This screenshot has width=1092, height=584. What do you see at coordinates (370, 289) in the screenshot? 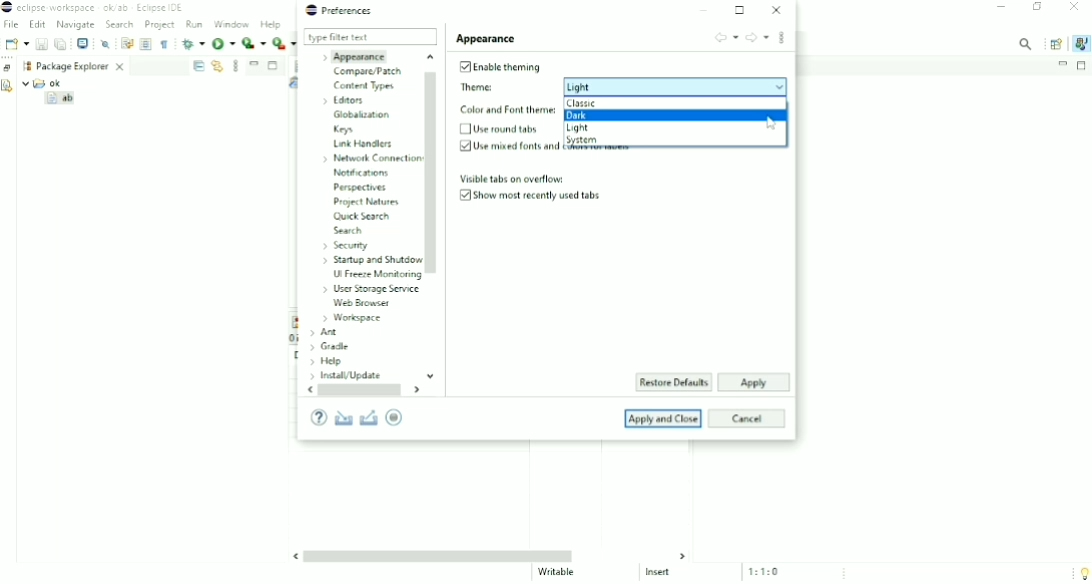
I see `User Storage Service` at bounding box center [370, 289].